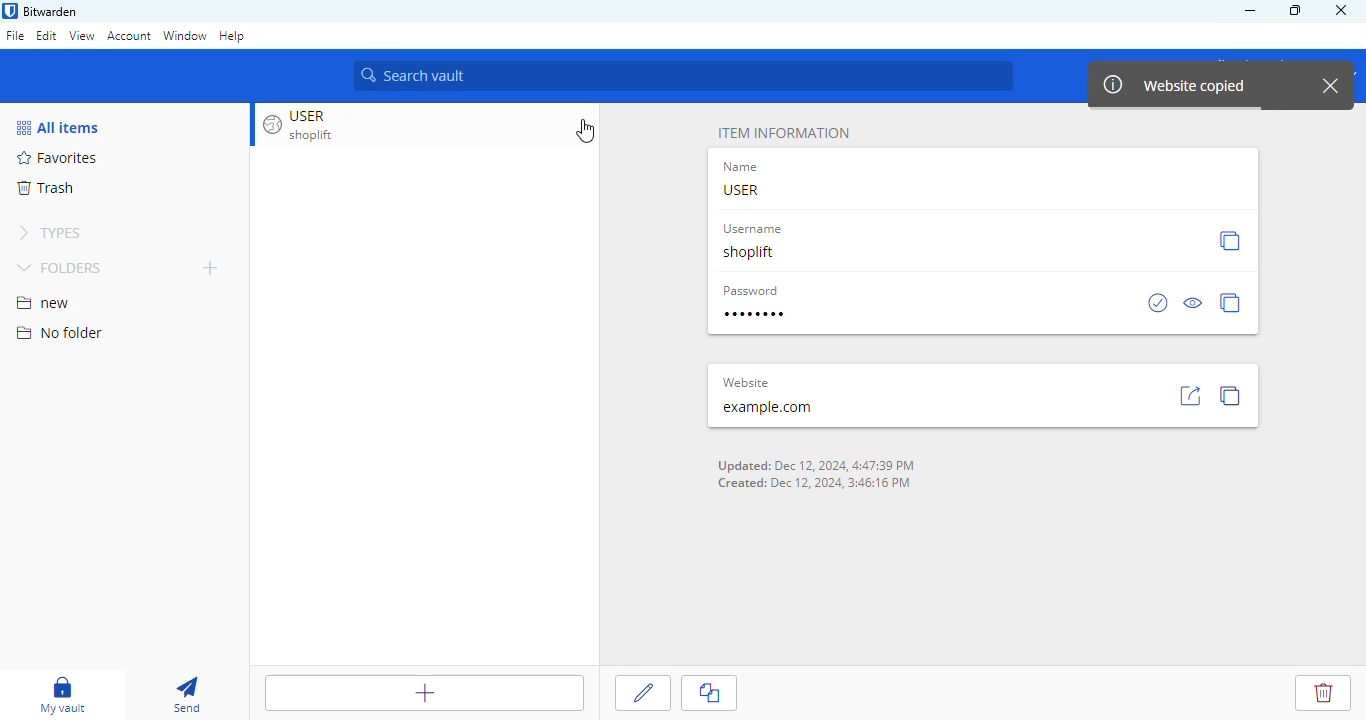  Describe the element at coordinates (1230, 302) in the screenshot. I see `copy password` at that location.